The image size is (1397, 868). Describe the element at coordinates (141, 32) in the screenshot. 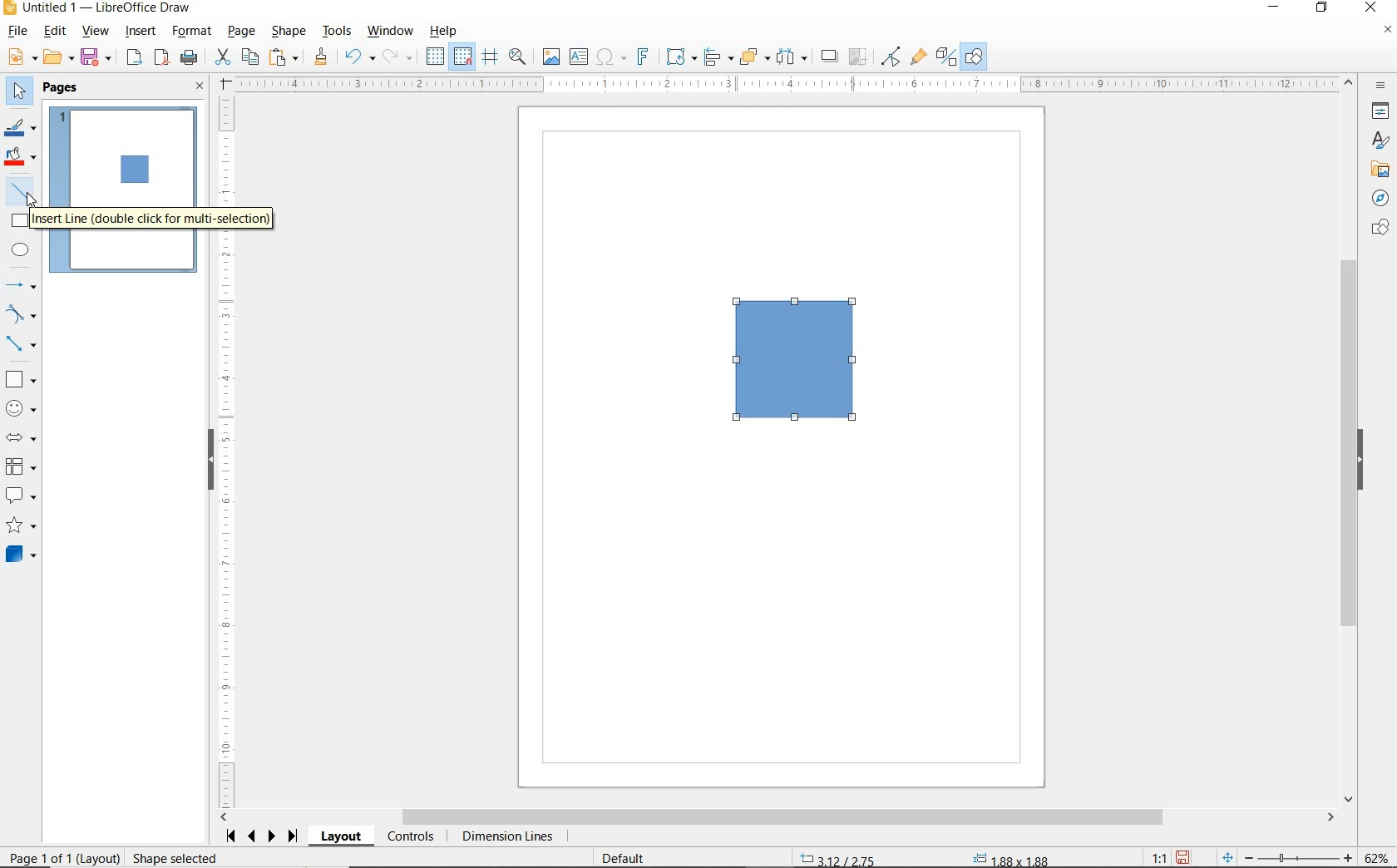

I see `INSERT` at that location.